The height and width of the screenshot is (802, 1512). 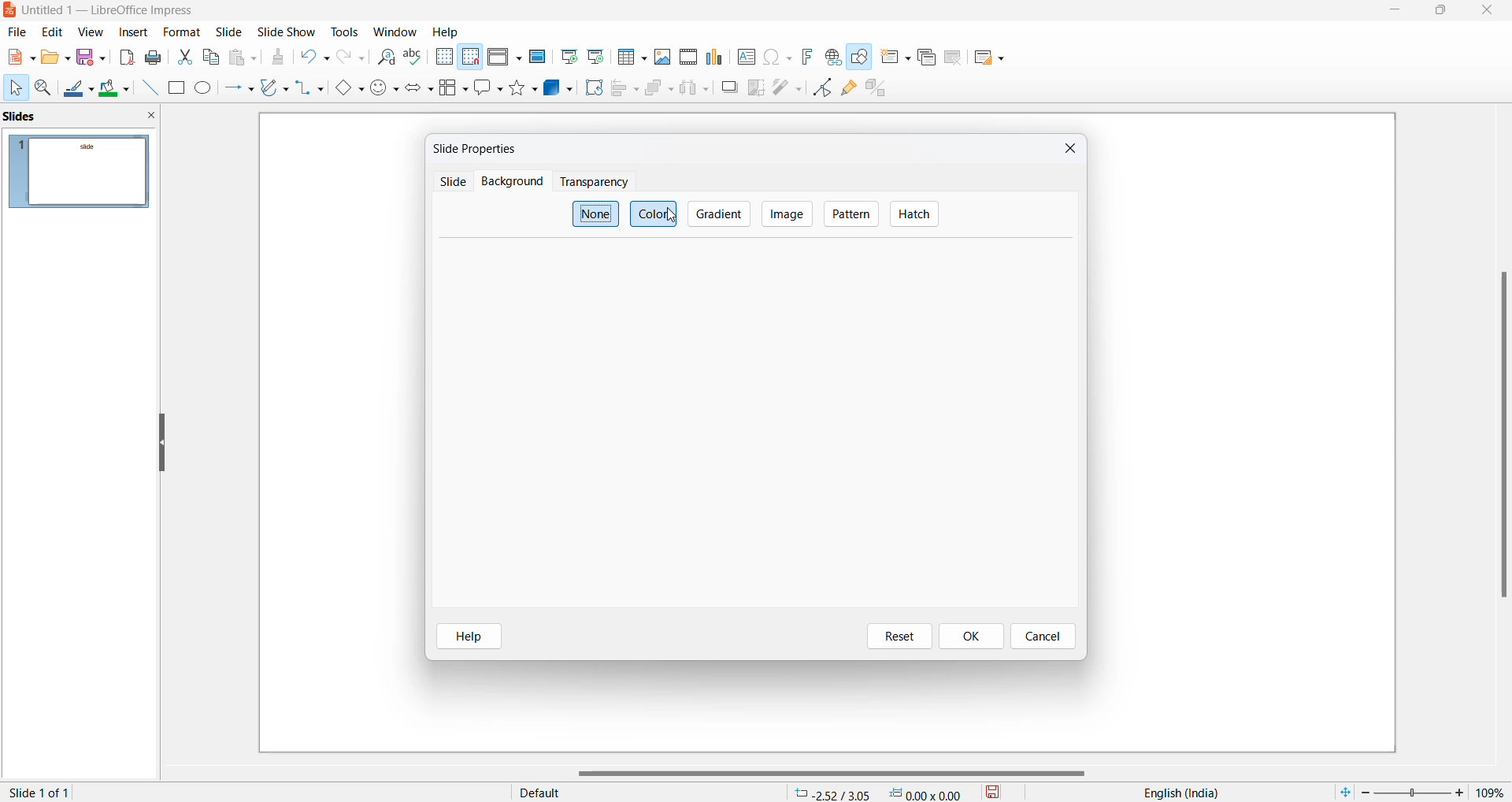 I want to click on scrollbar, so click(x=1502, y=433).